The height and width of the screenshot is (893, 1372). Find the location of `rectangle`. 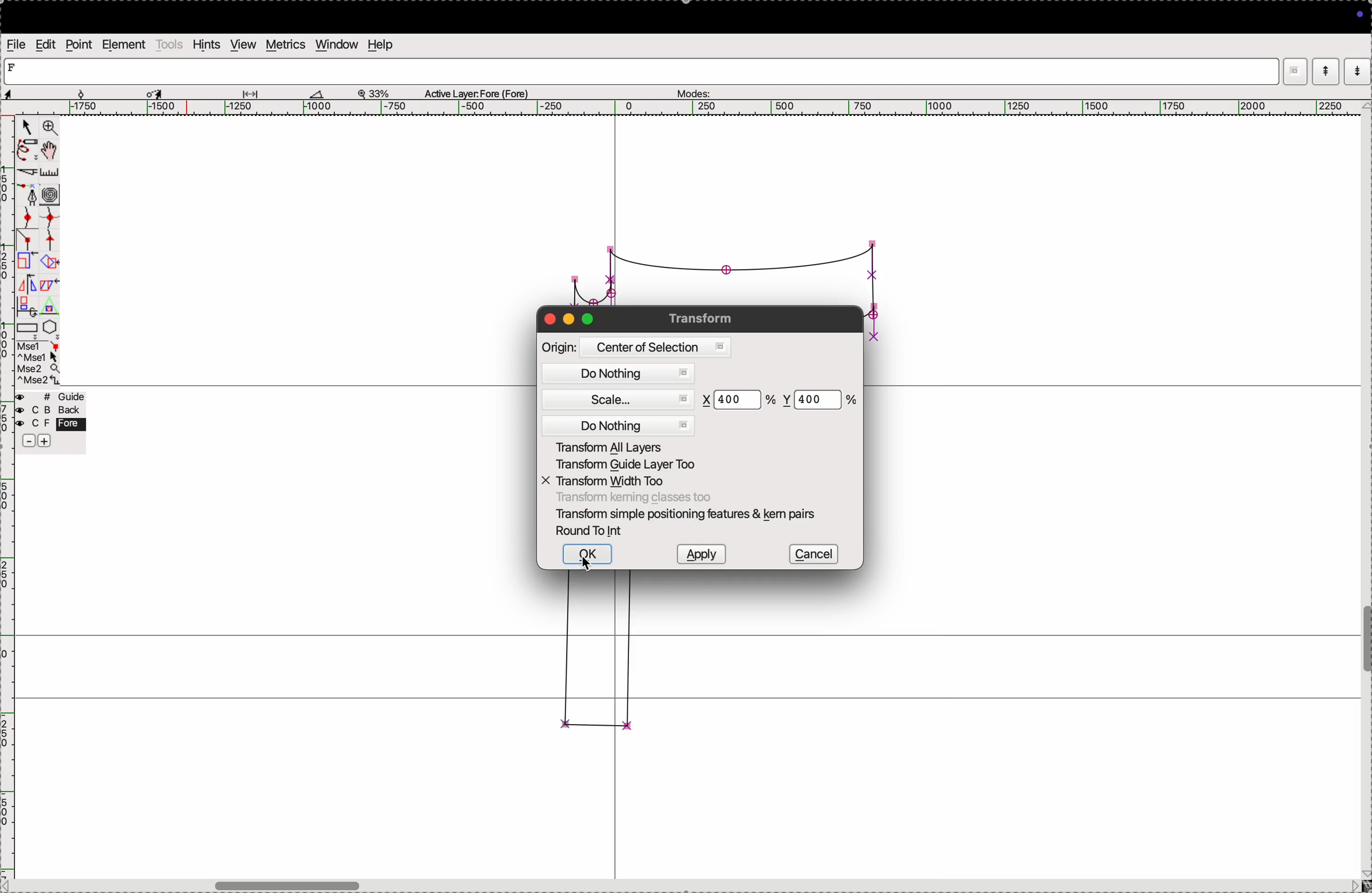

rectangle is located at coordinates (27, 330).